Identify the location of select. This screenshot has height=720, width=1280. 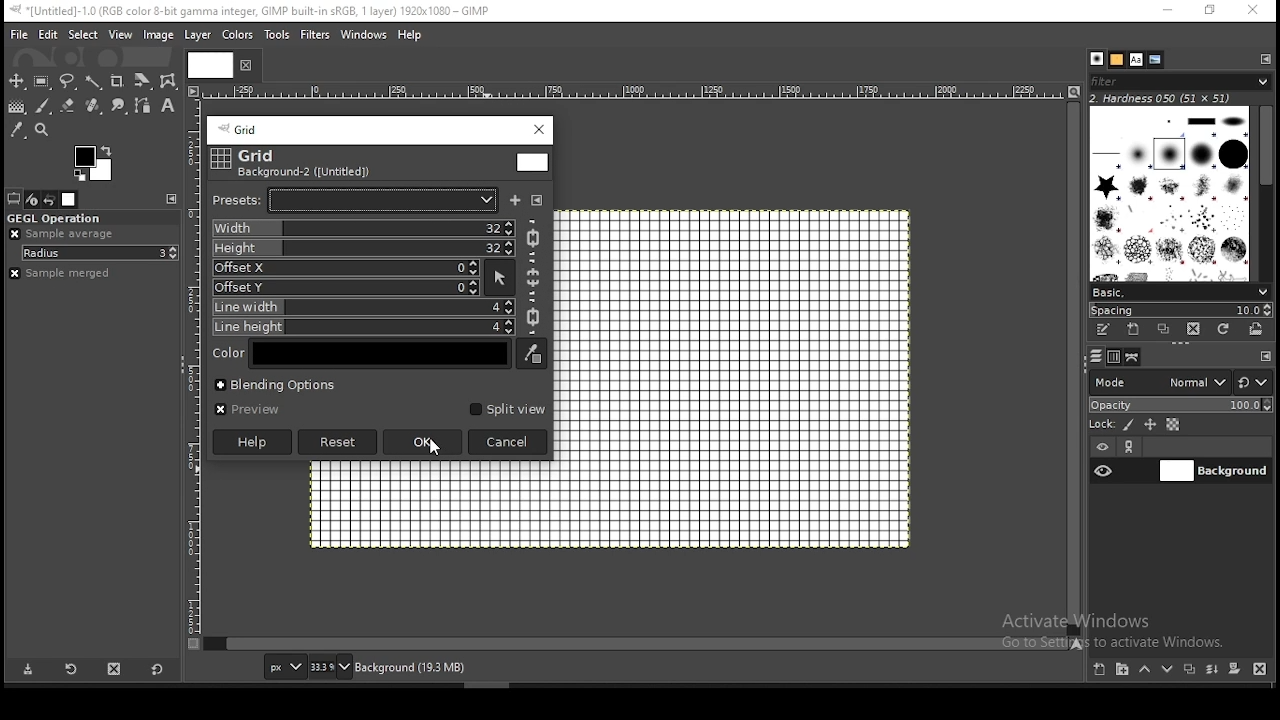
(80, 34).